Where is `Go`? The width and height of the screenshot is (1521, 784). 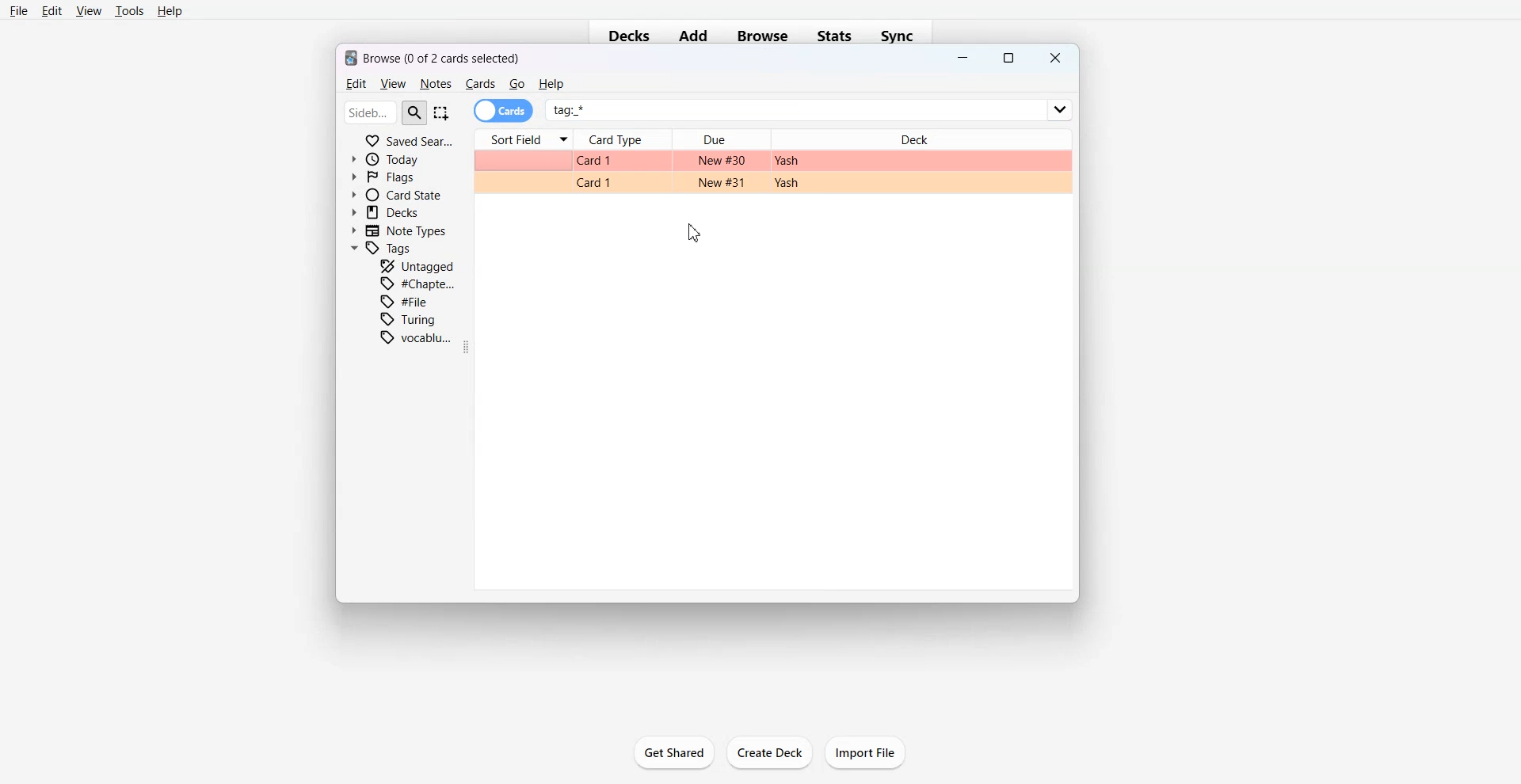
Go is located at coordinates (517, 84).